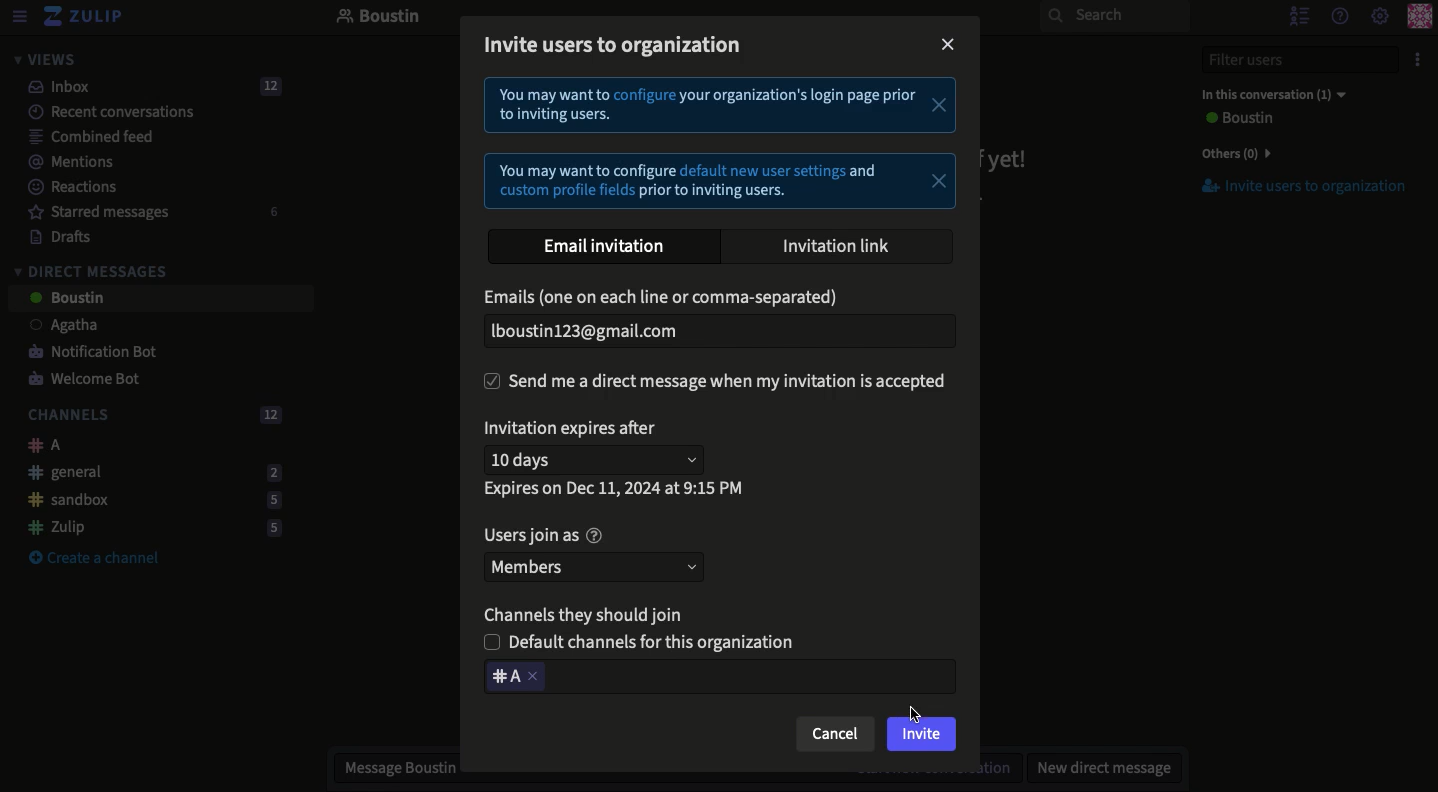  Describe the element at coordinates (913, 717) in the screenshot. I see `cursor` at that location.